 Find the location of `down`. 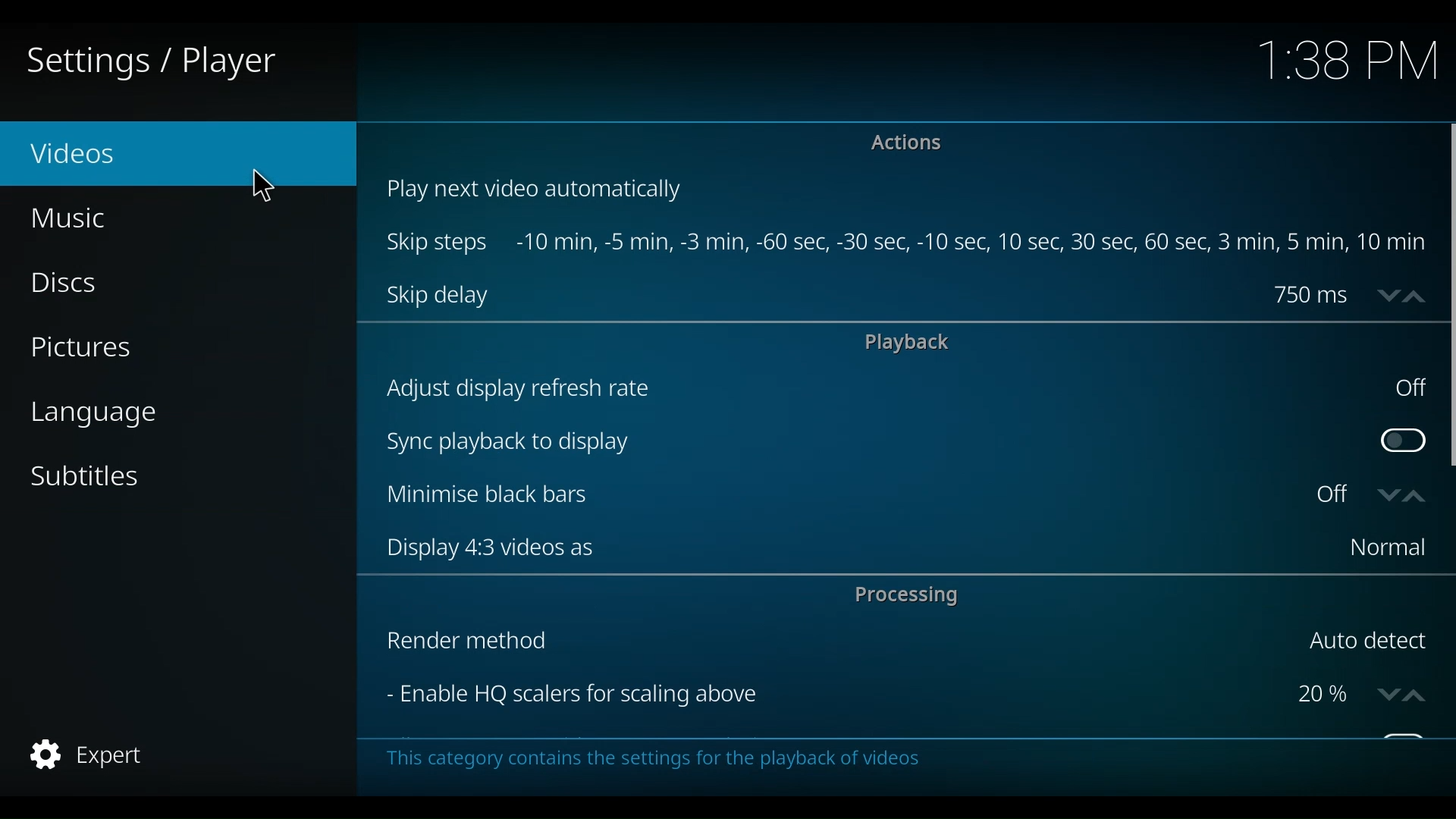

down is located at coordinates (1390, 296).